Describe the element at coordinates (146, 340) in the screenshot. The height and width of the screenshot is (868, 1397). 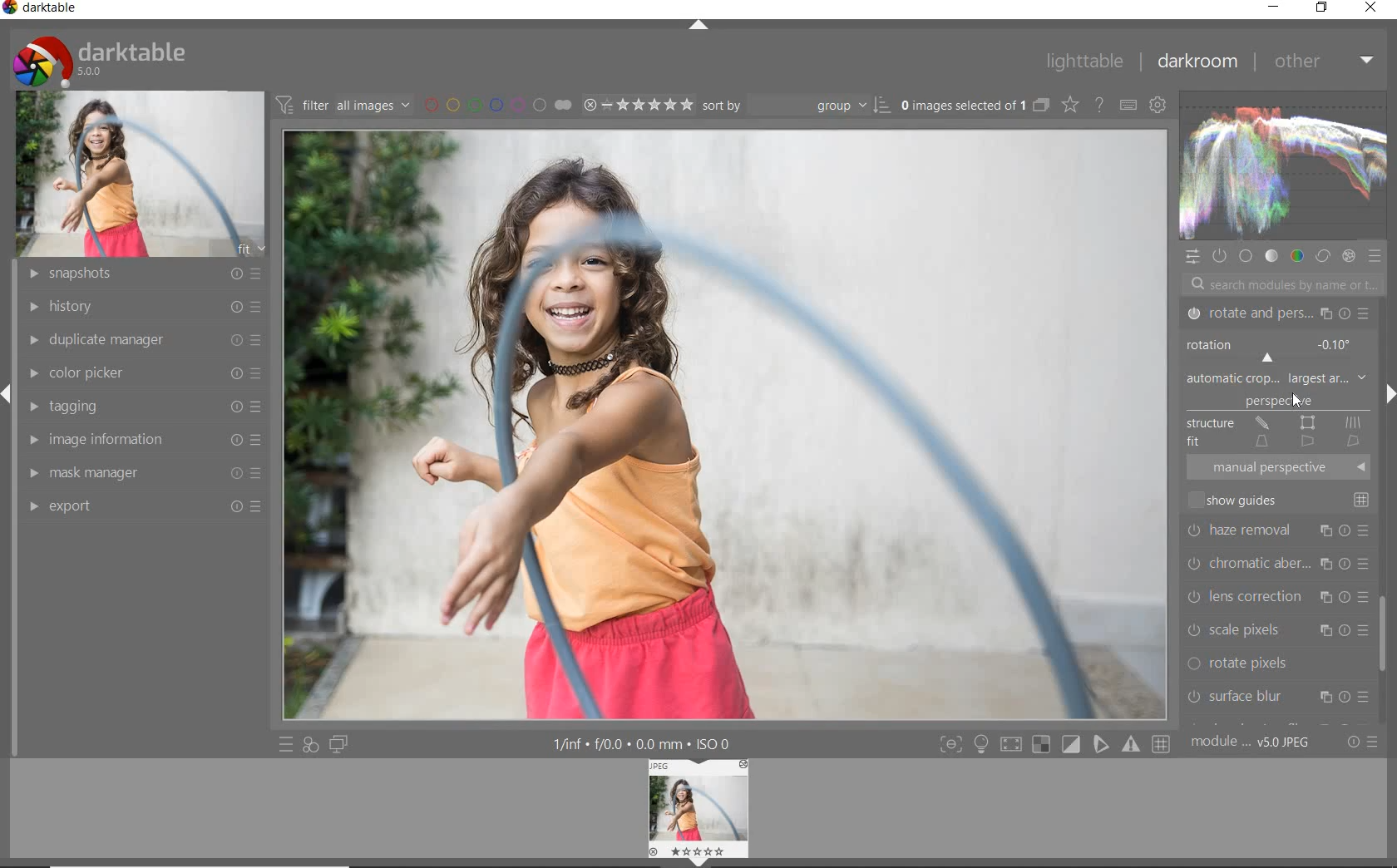
I see `duplicate manager` at that location.